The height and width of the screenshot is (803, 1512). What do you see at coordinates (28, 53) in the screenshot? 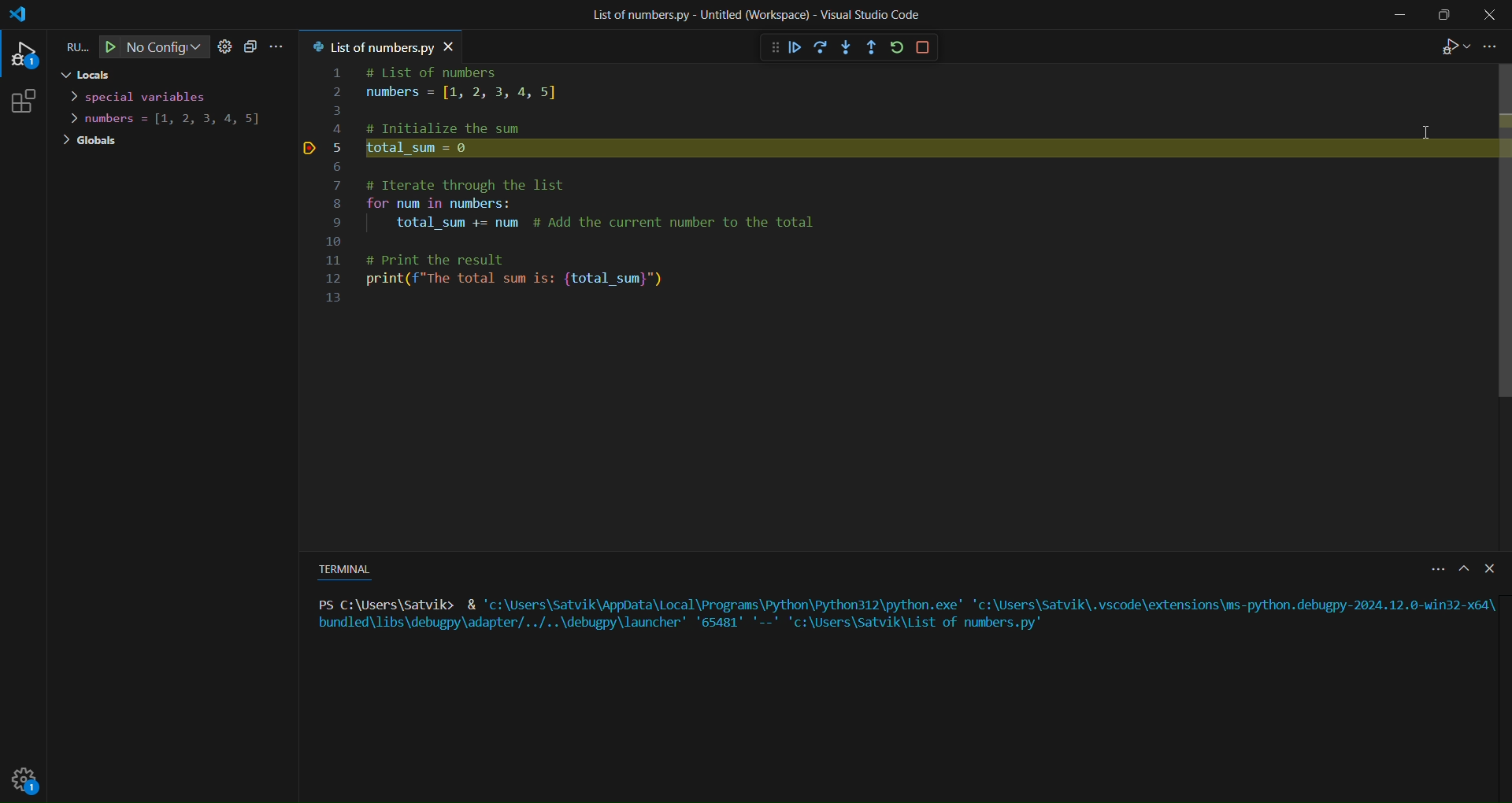
I see `run or debug option` at bounding box center [28, 53].